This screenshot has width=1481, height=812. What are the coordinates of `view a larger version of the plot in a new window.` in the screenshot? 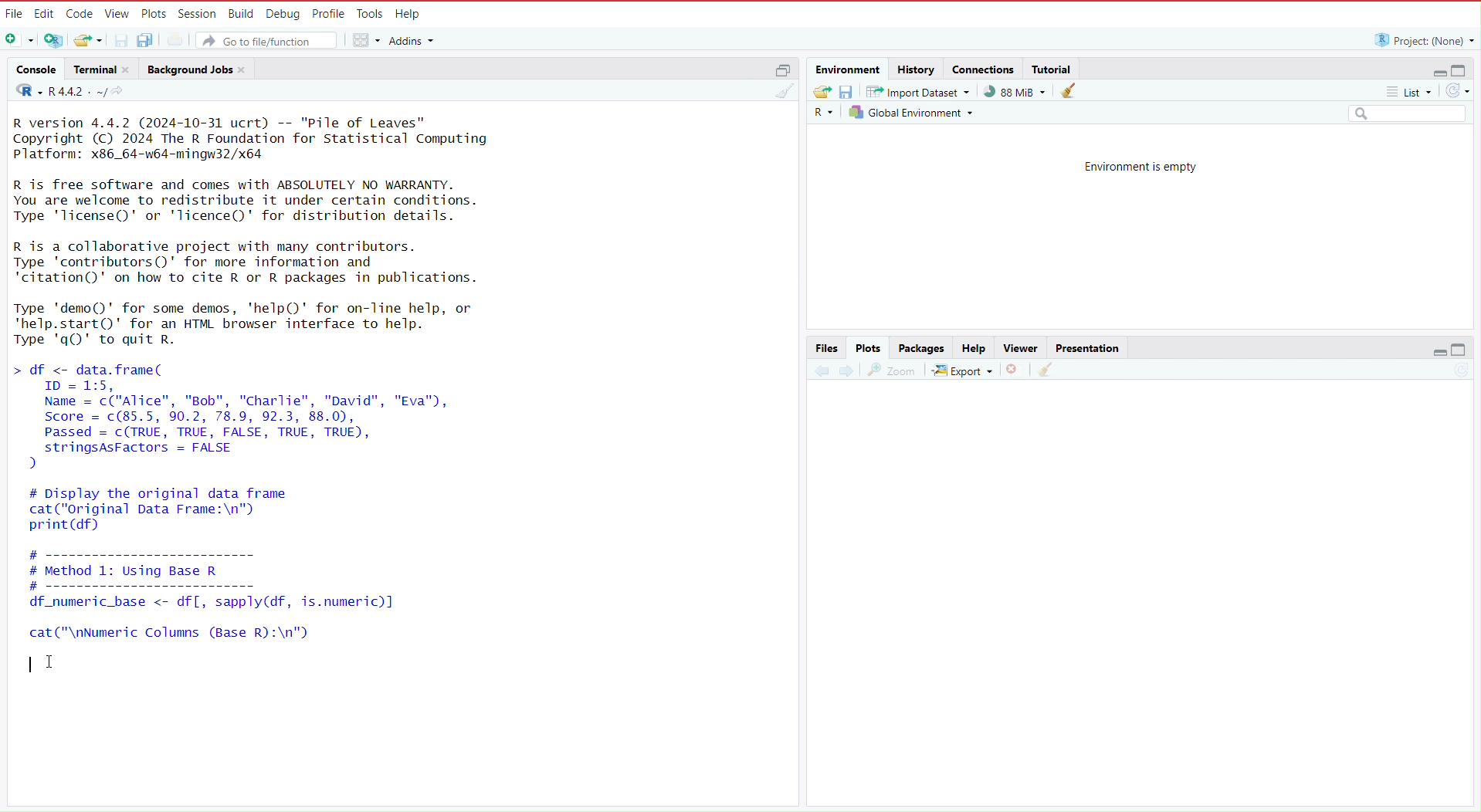 It's located at (893, 370).